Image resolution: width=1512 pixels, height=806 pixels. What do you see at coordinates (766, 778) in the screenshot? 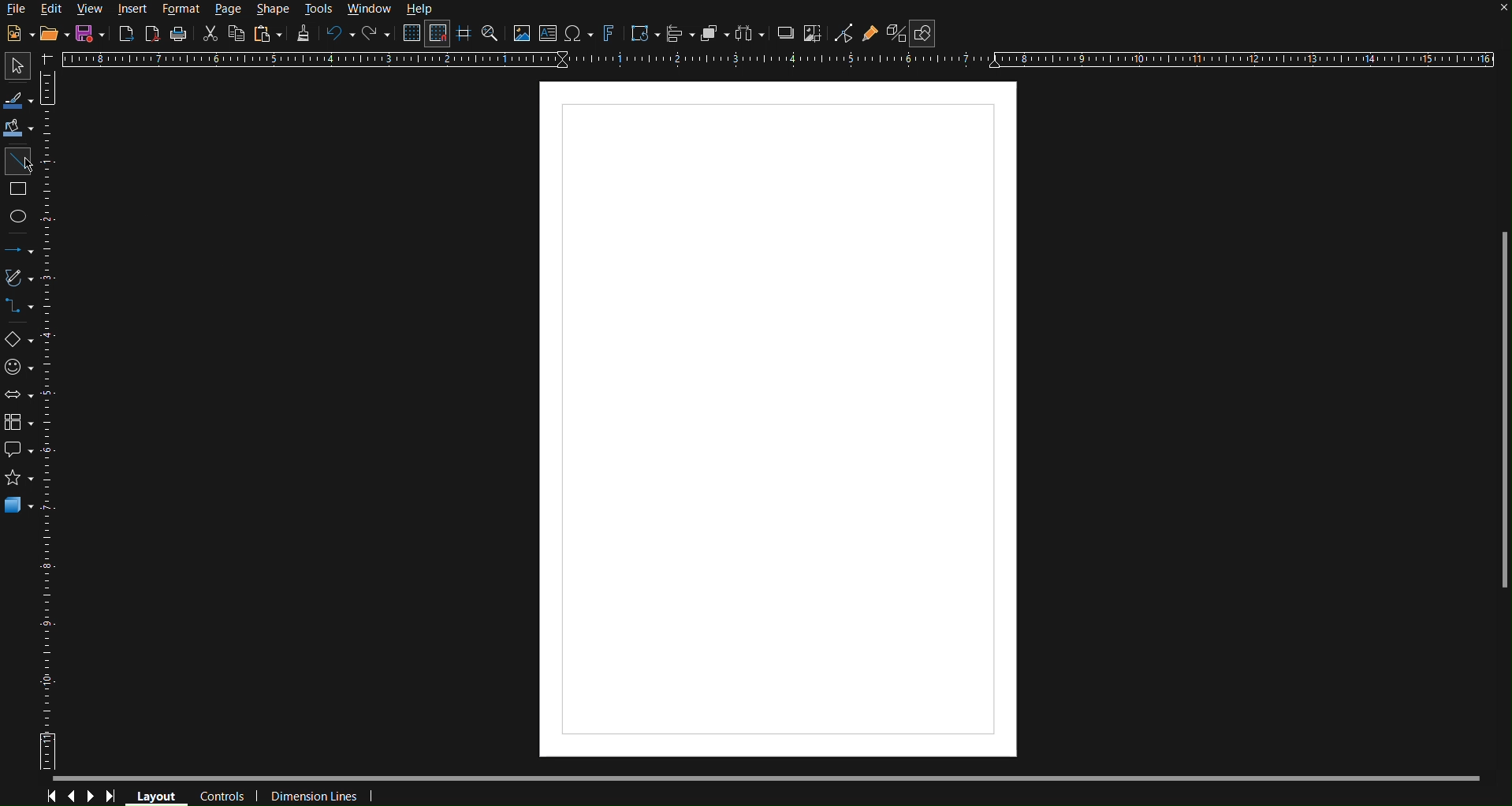
I see `Scrollbar` at bounding box center [766, 778].